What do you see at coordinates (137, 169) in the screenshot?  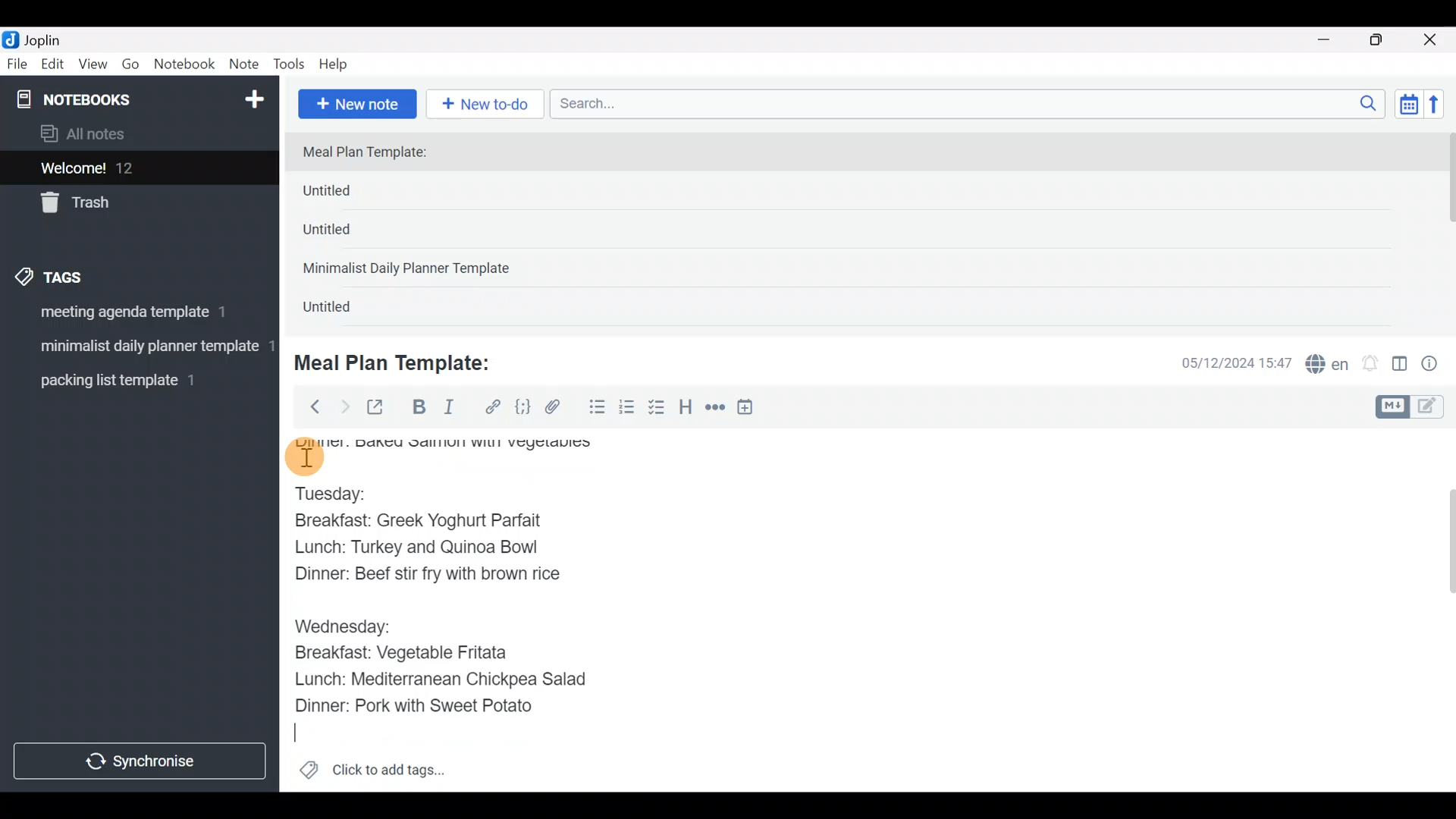 I see `Welcome!` at bounding box center [137, 169].